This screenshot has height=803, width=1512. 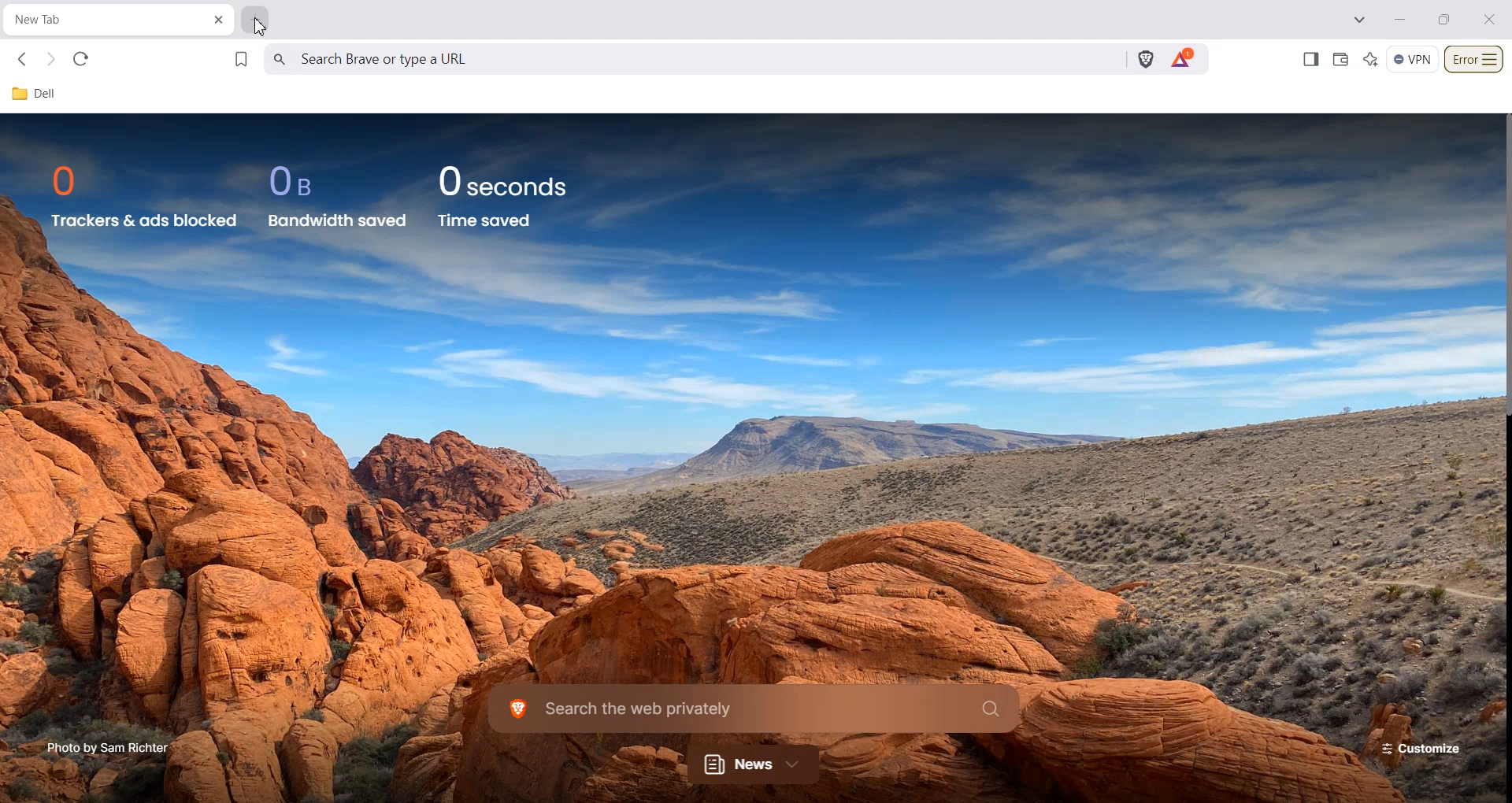 What do you see at coordinates (1474, 60) in the screenshot?
I see `Customize and control brave` at bounding box center [1474, 60].